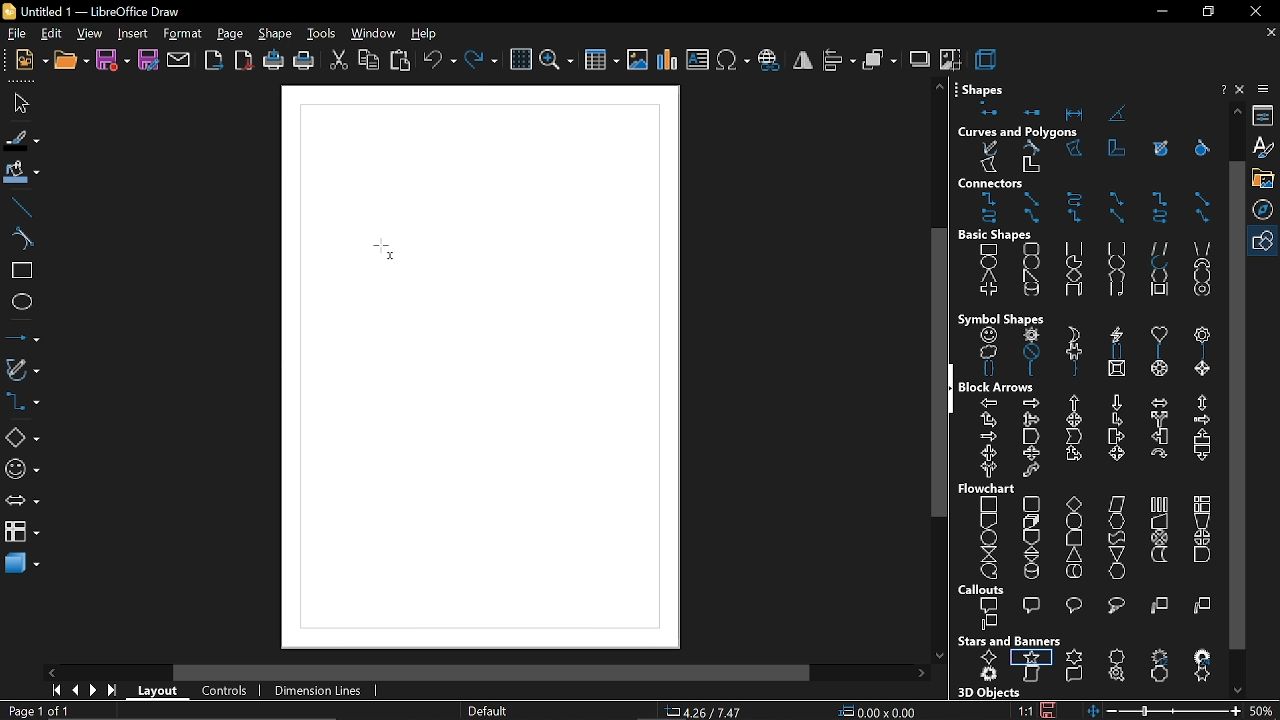 The image size is (1280, 720). Describe the element at coordinates (22, 340) in the screenshot. I see `lines and arrows` at that location.